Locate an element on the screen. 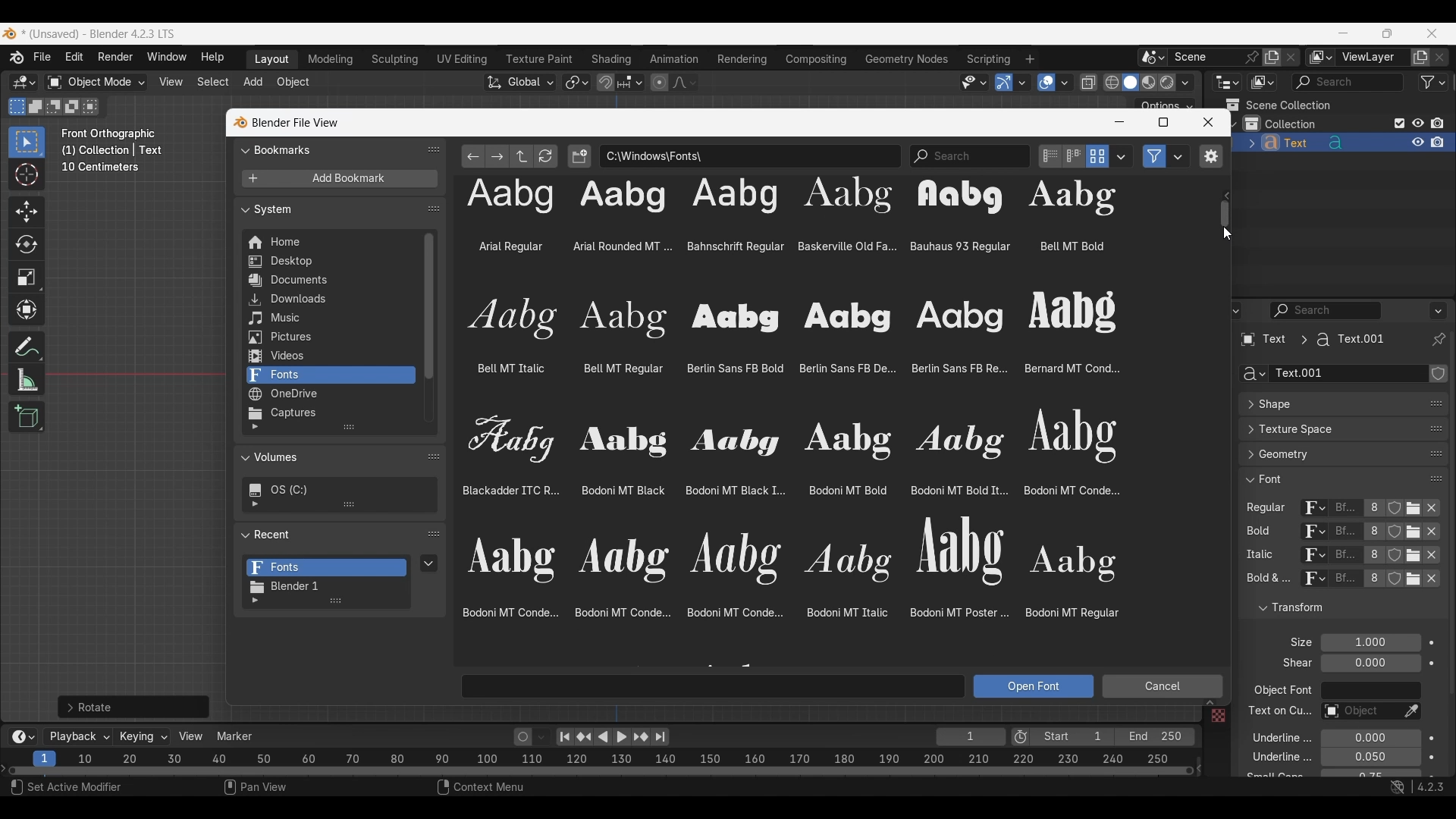  Name view layer is located at coordinates (1373, 58).